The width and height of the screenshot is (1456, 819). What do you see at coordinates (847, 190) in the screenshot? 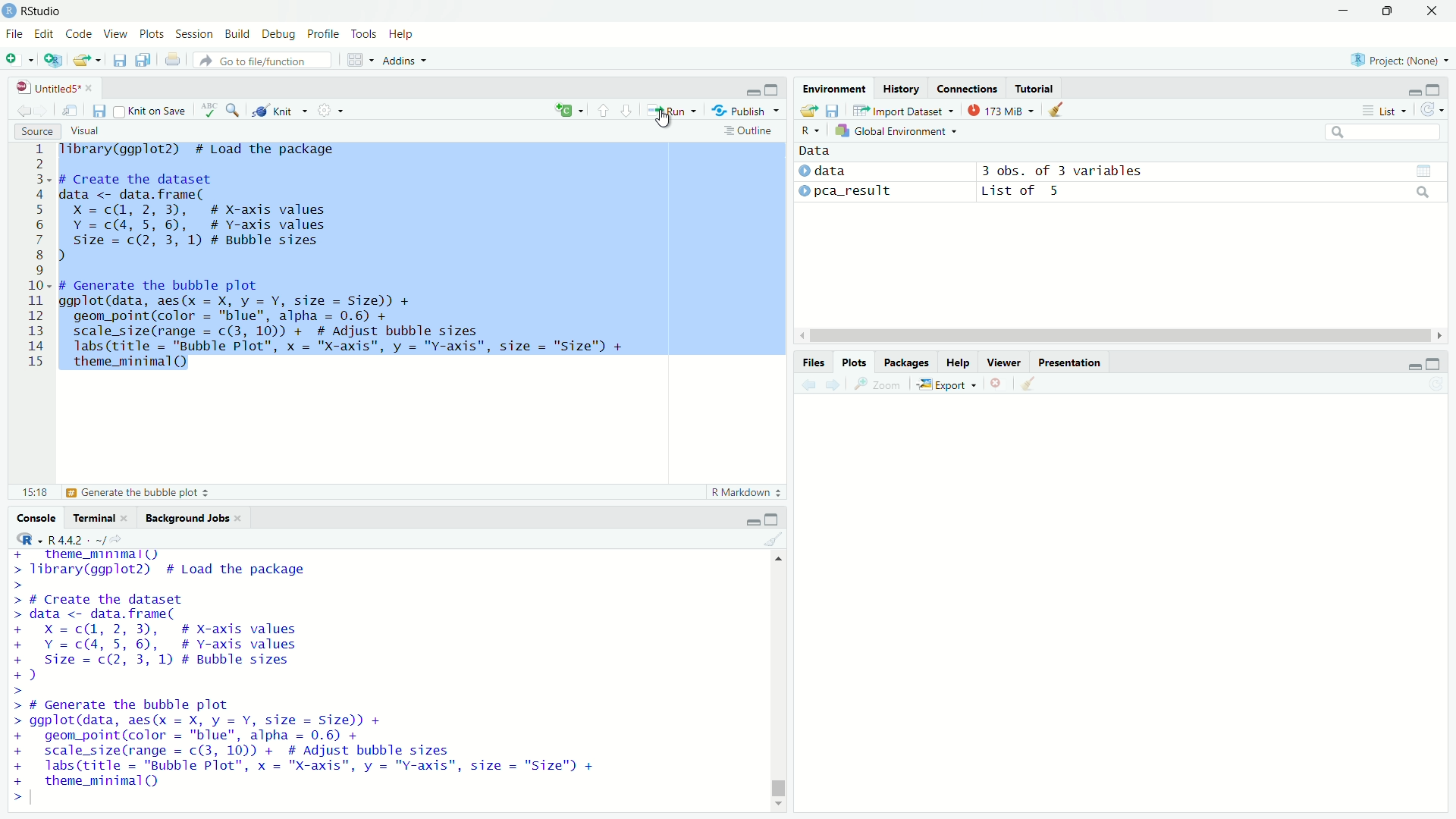
I see `data 2 : pca_result` at bounding box center [847, 190].